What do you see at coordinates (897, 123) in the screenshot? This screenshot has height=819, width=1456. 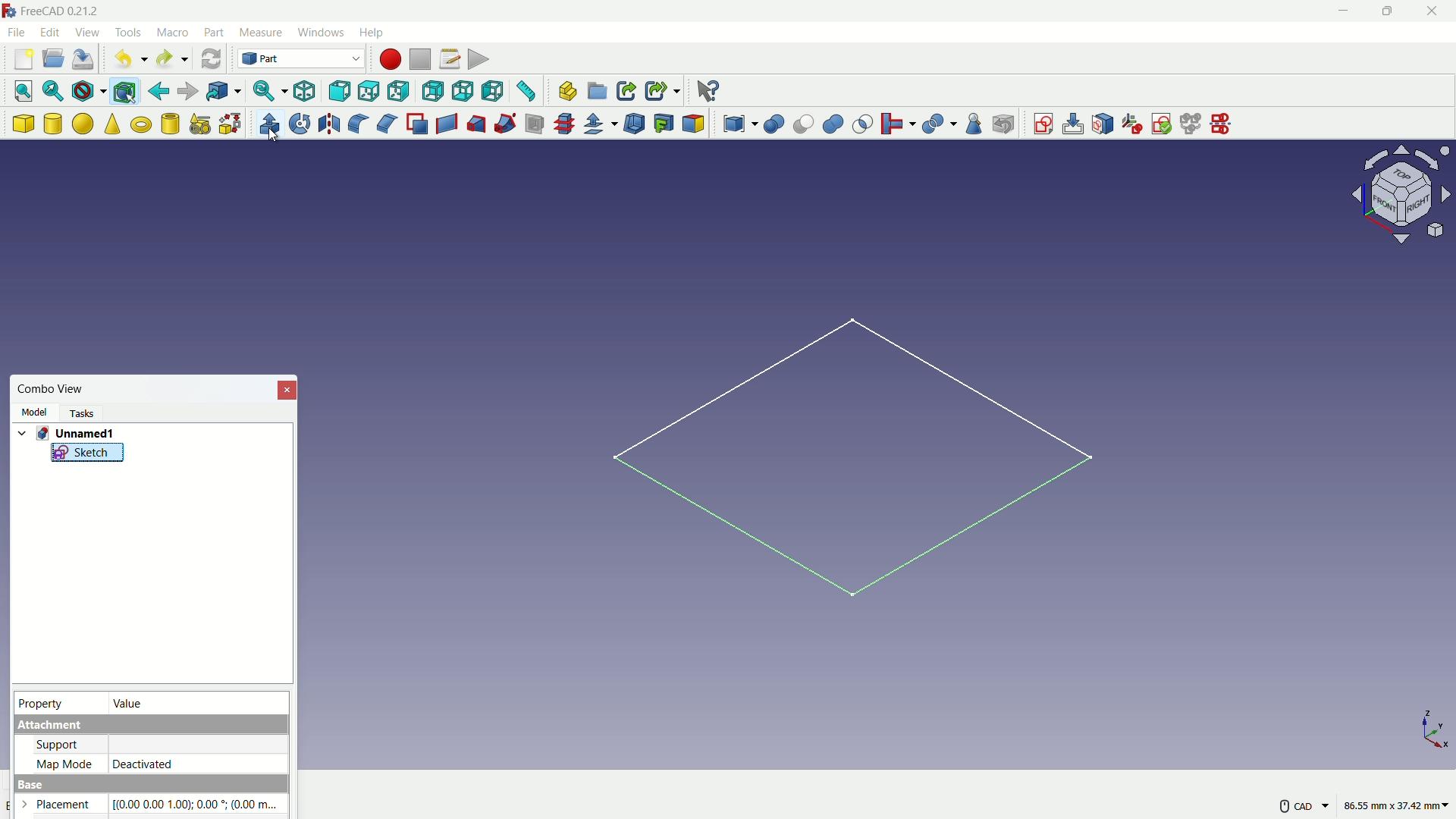 I see `join object` at bounding box center [897, 123].